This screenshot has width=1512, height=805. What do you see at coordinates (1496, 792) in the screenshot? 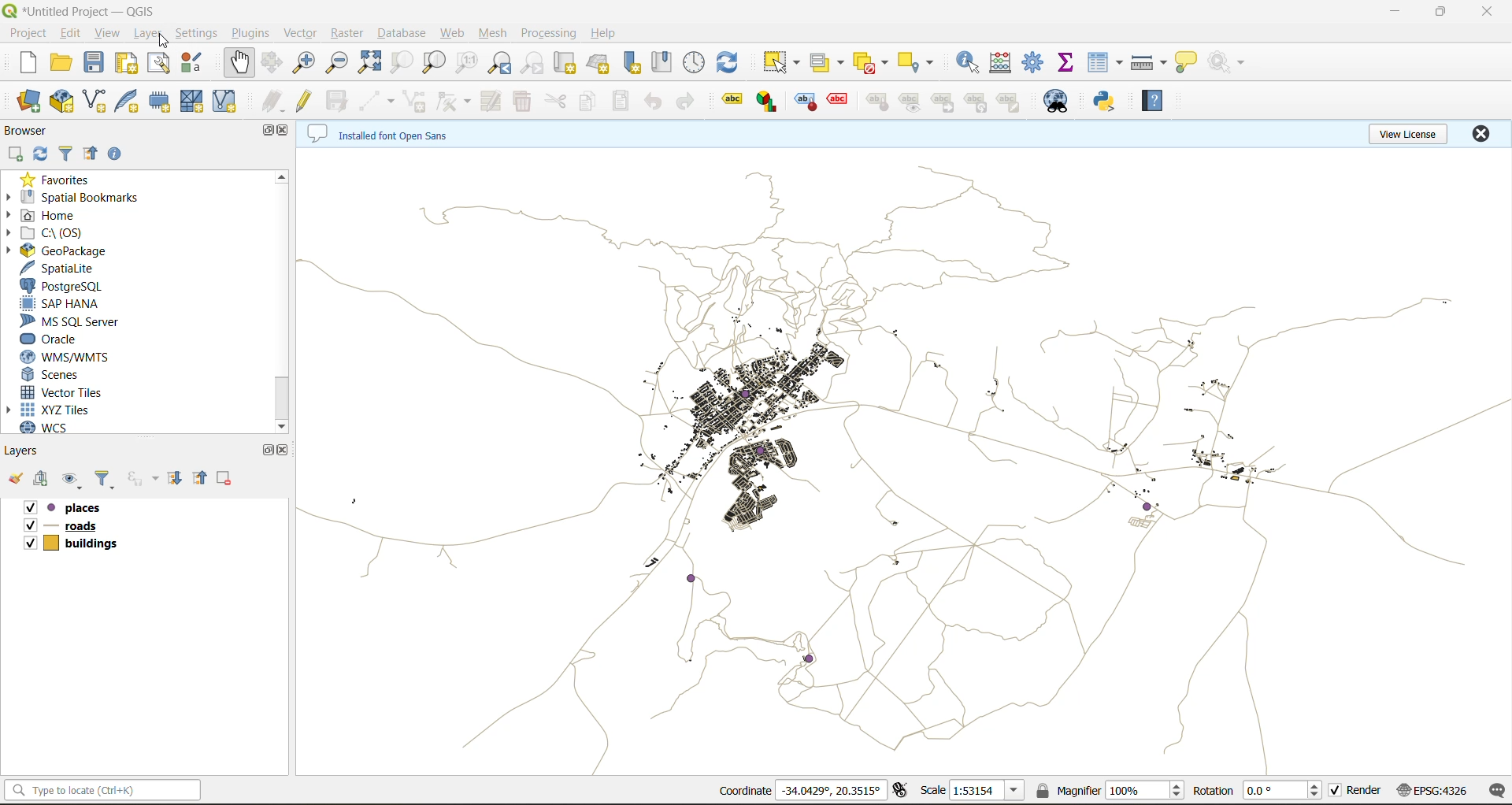
I see `log messages` at bounding box center [1496, 792].